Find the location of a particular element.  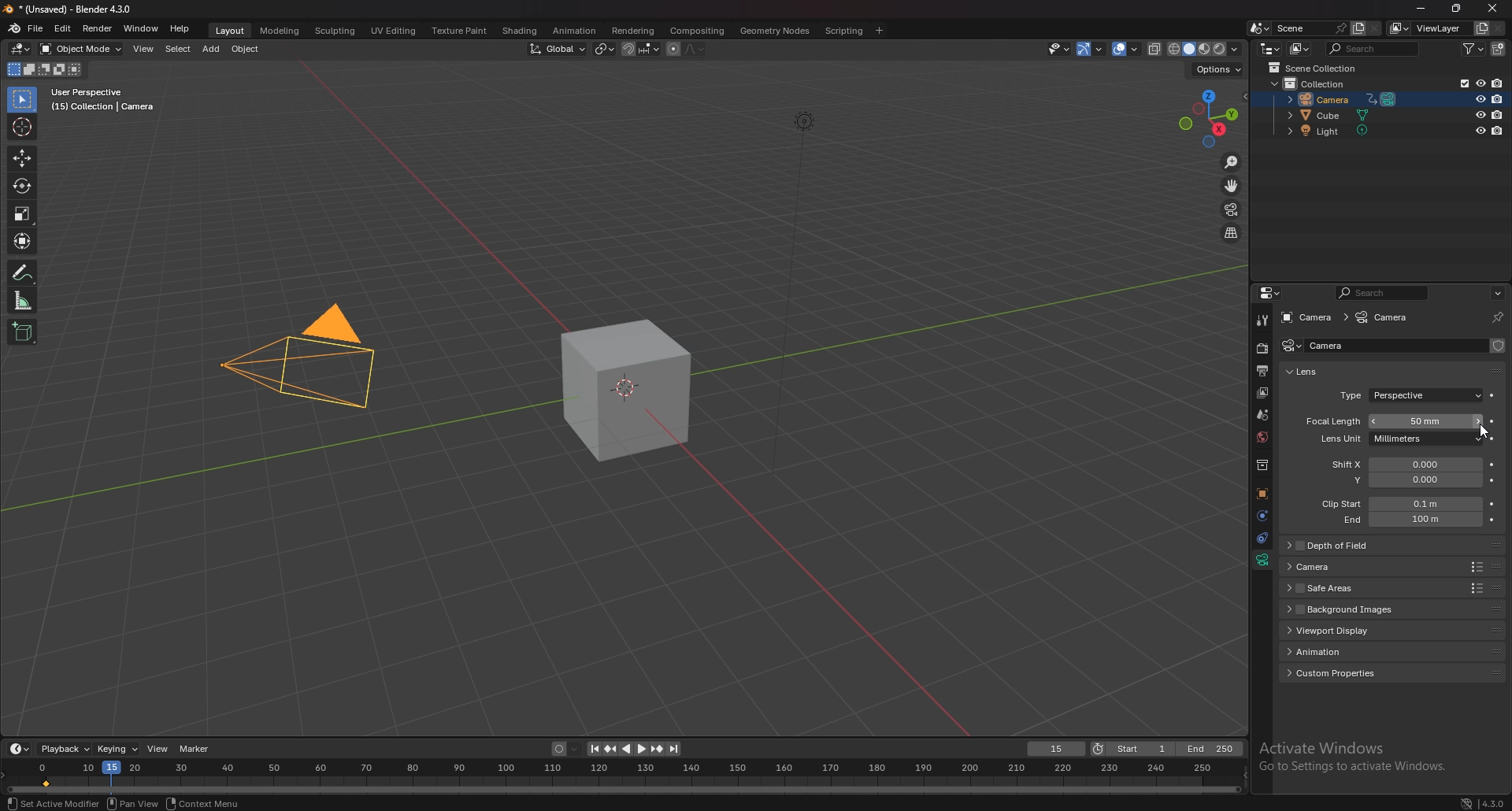

viewport shading is located at coordinates (1205, 50).